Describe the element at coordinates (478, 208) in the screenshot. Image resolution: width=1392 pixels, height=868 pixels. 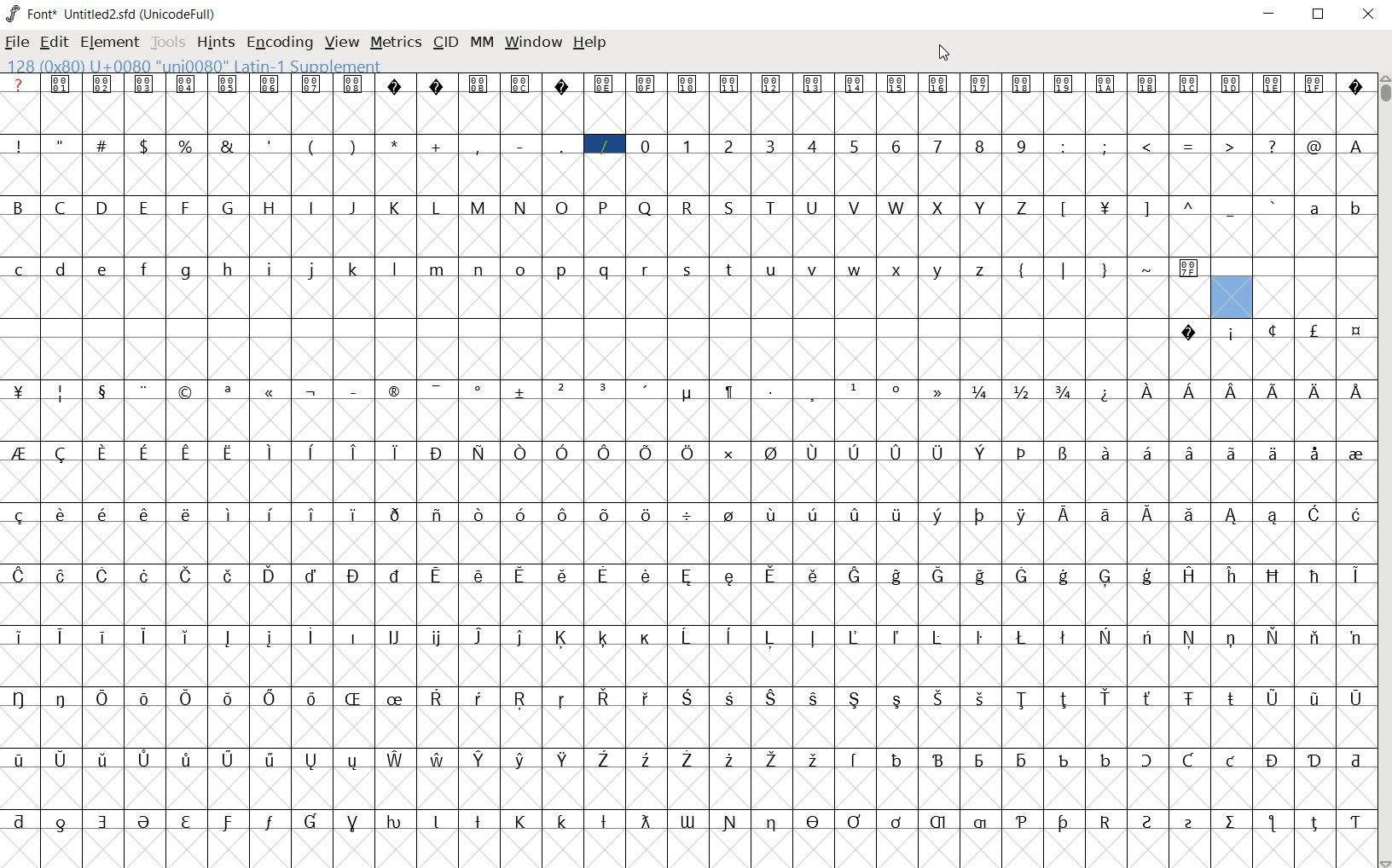
I see `glyph` at that location.